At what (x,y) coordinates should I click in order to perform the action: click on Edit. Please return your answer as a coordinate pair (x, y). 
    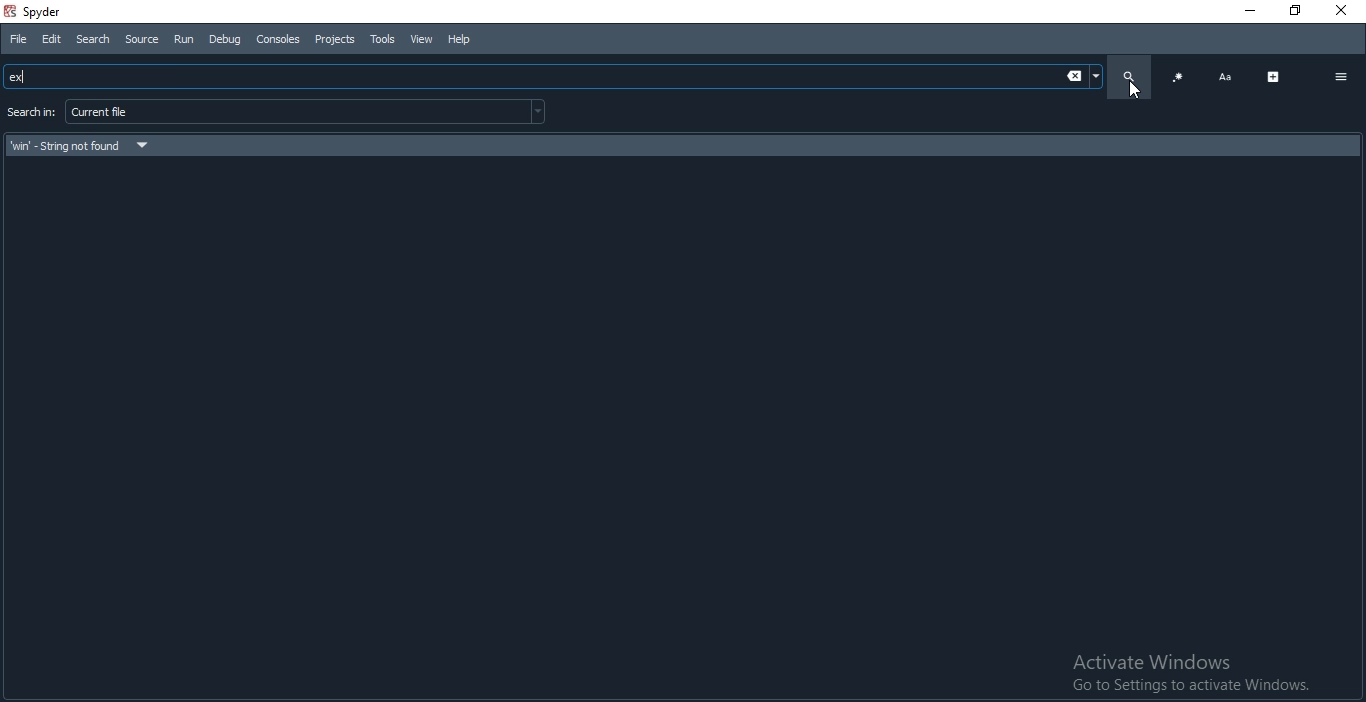
    Looking at the image, I should click on (50, 40).